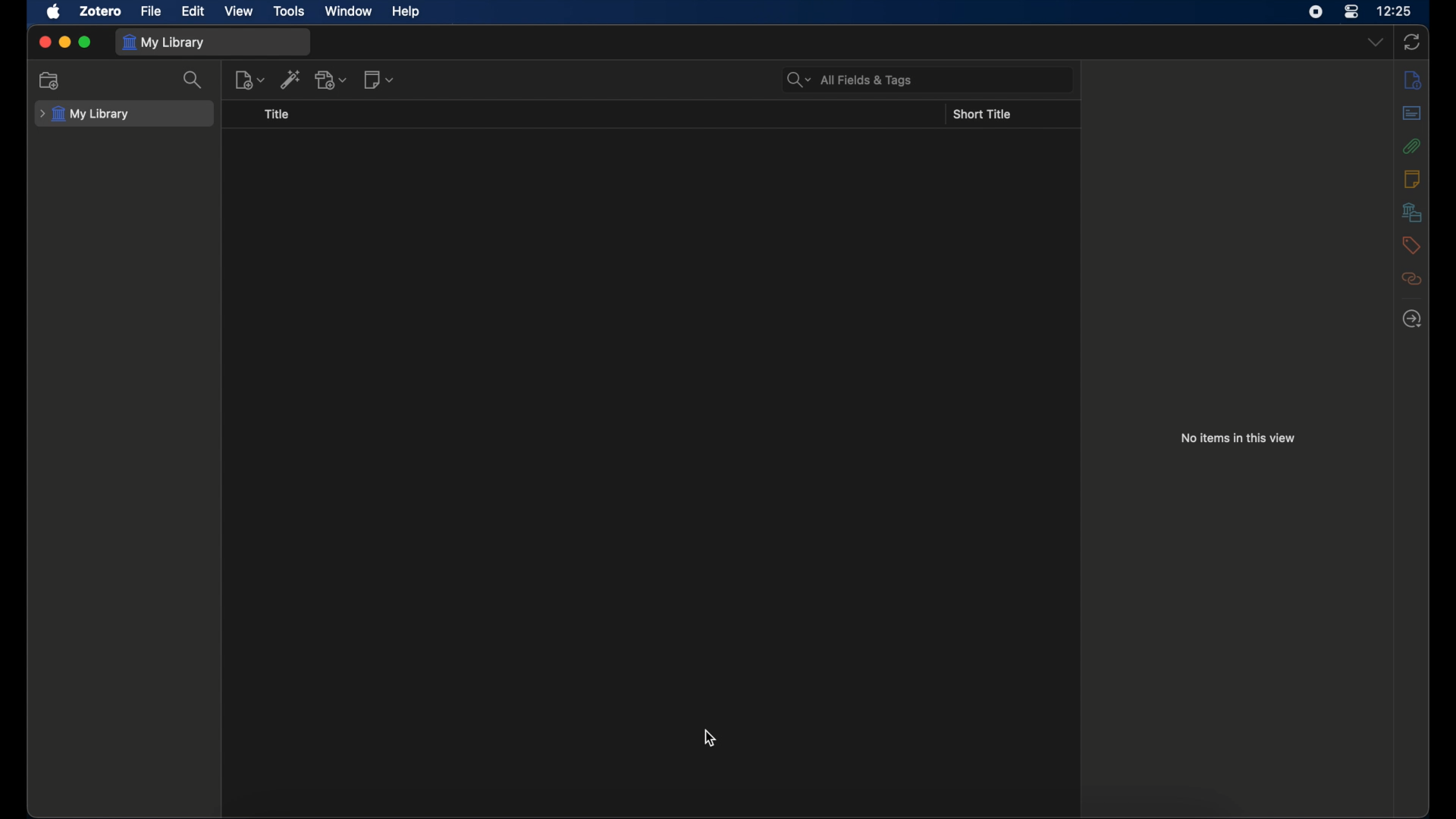 The height and width of the screenshot is (819, 1456). Describe the element at coordinates (1238, 438) in the screenshot. I see `no times in this view` at that location.